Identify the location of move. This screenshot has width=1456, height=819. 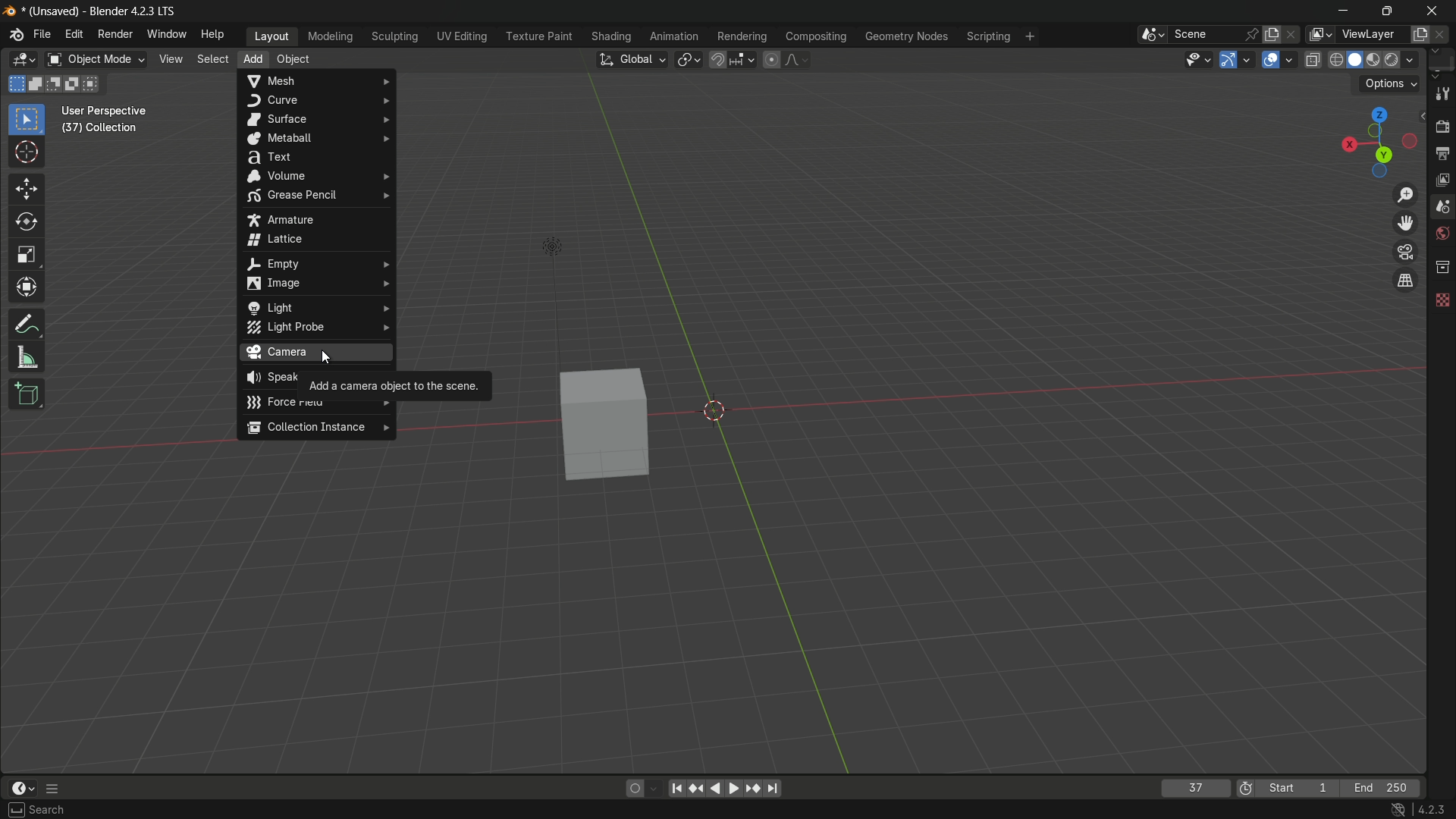
(26, 188).